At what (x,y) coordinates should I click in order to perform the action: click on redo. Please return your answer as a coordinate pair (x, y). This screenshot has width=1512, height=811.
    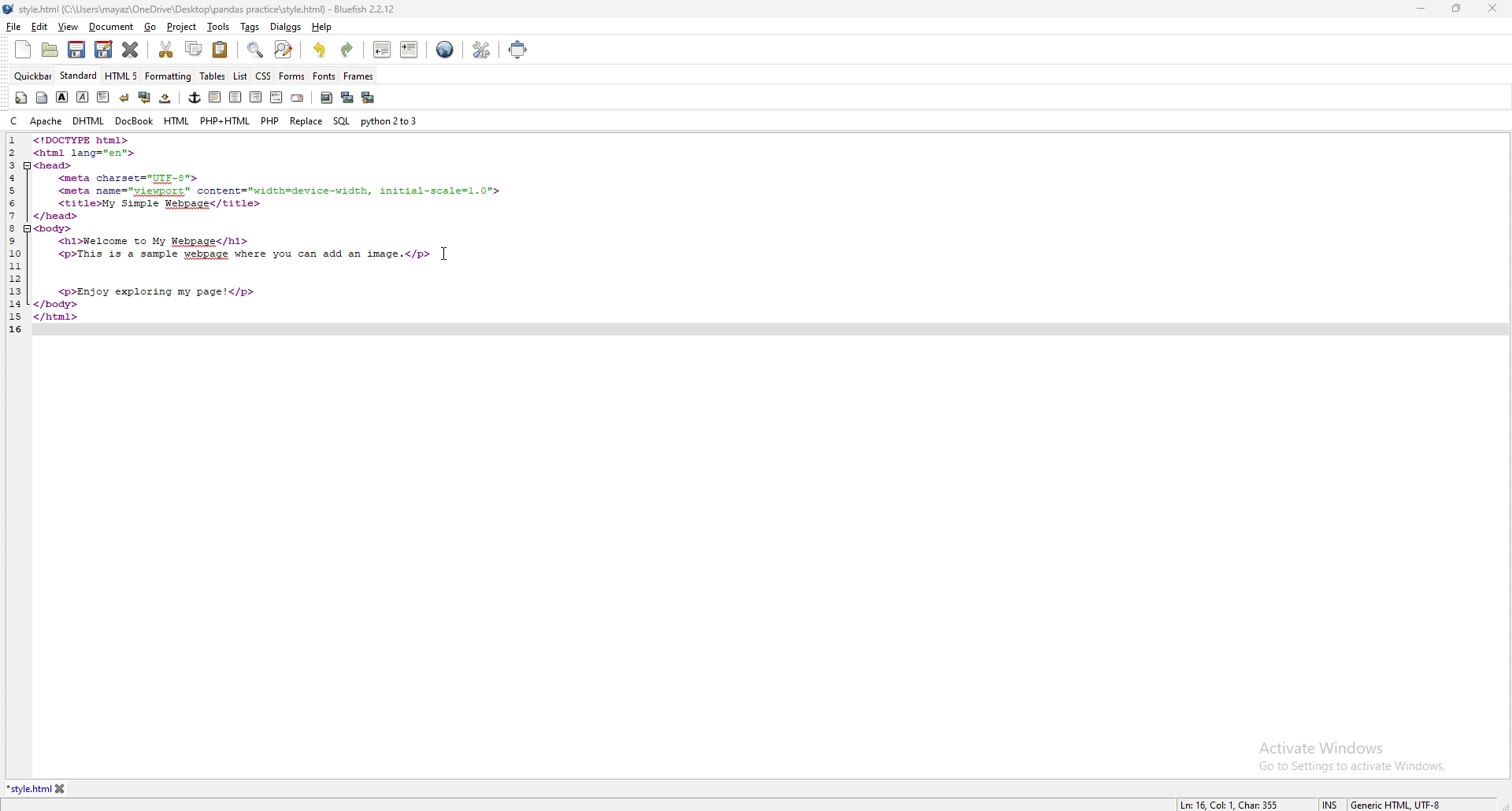
    Looking at the image, I should click on (348, 51).